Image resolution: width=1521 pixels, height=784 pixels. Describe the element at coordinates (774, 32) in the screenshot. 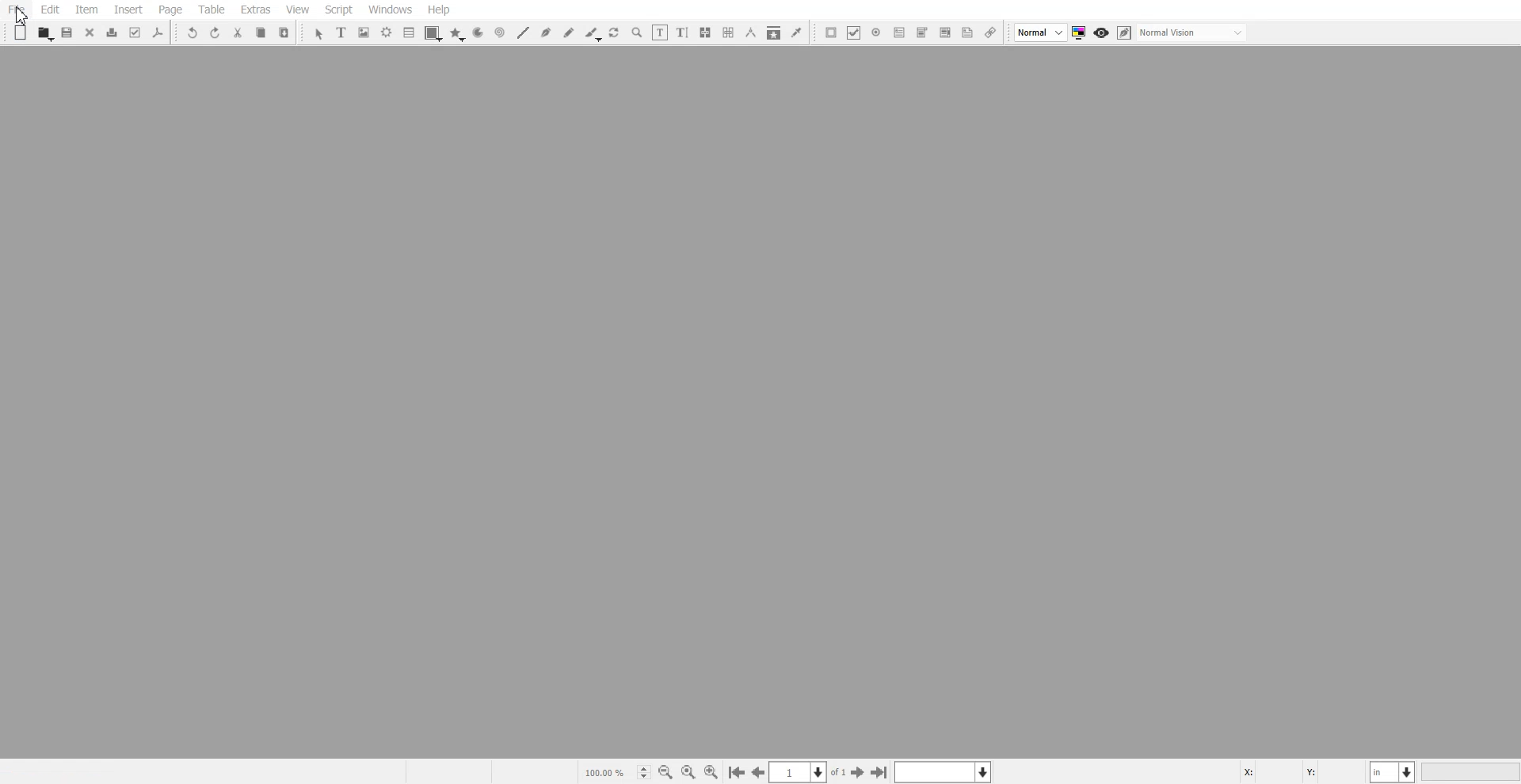

I see `Copy Item Properties` at that location.